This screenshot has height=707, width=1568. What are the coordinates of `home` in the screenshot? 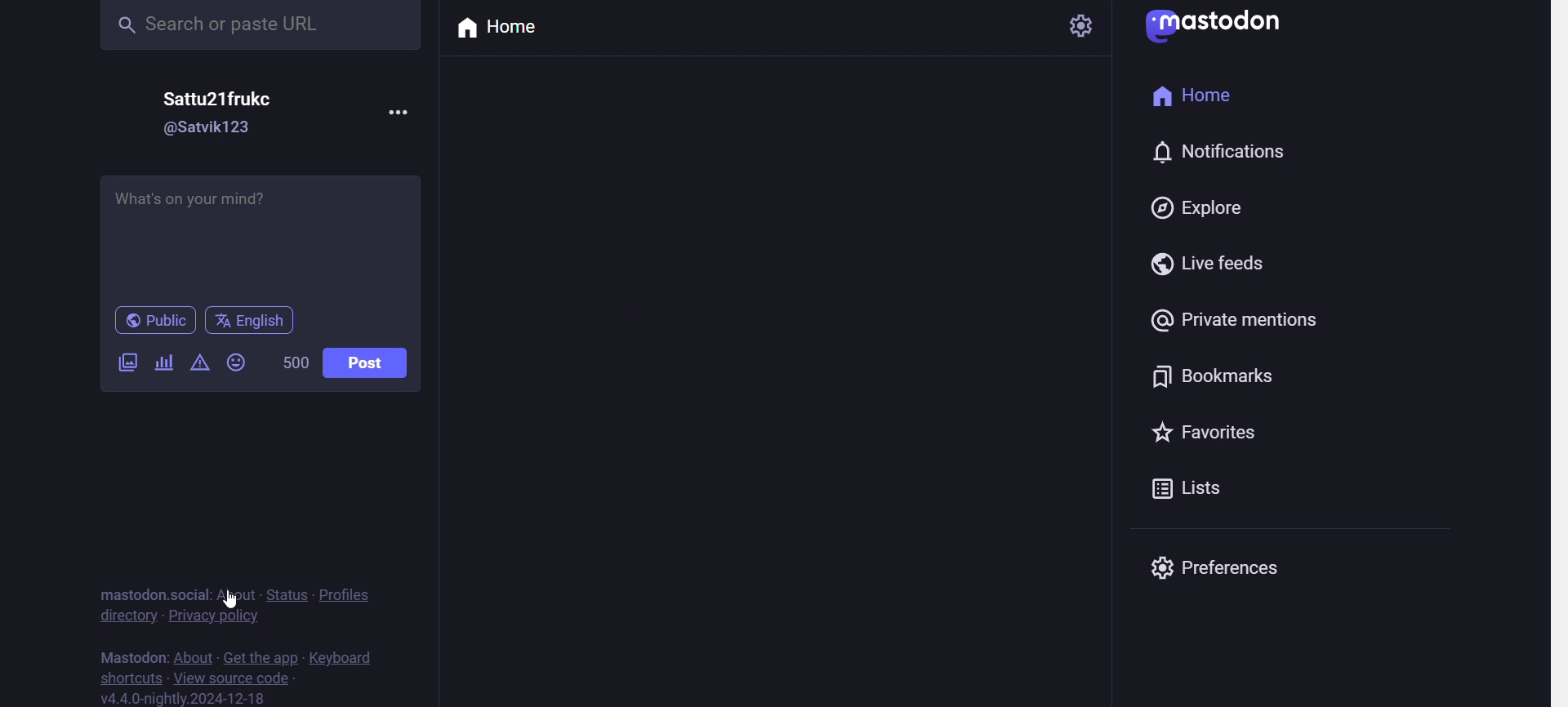 It's located at (1197, 98).